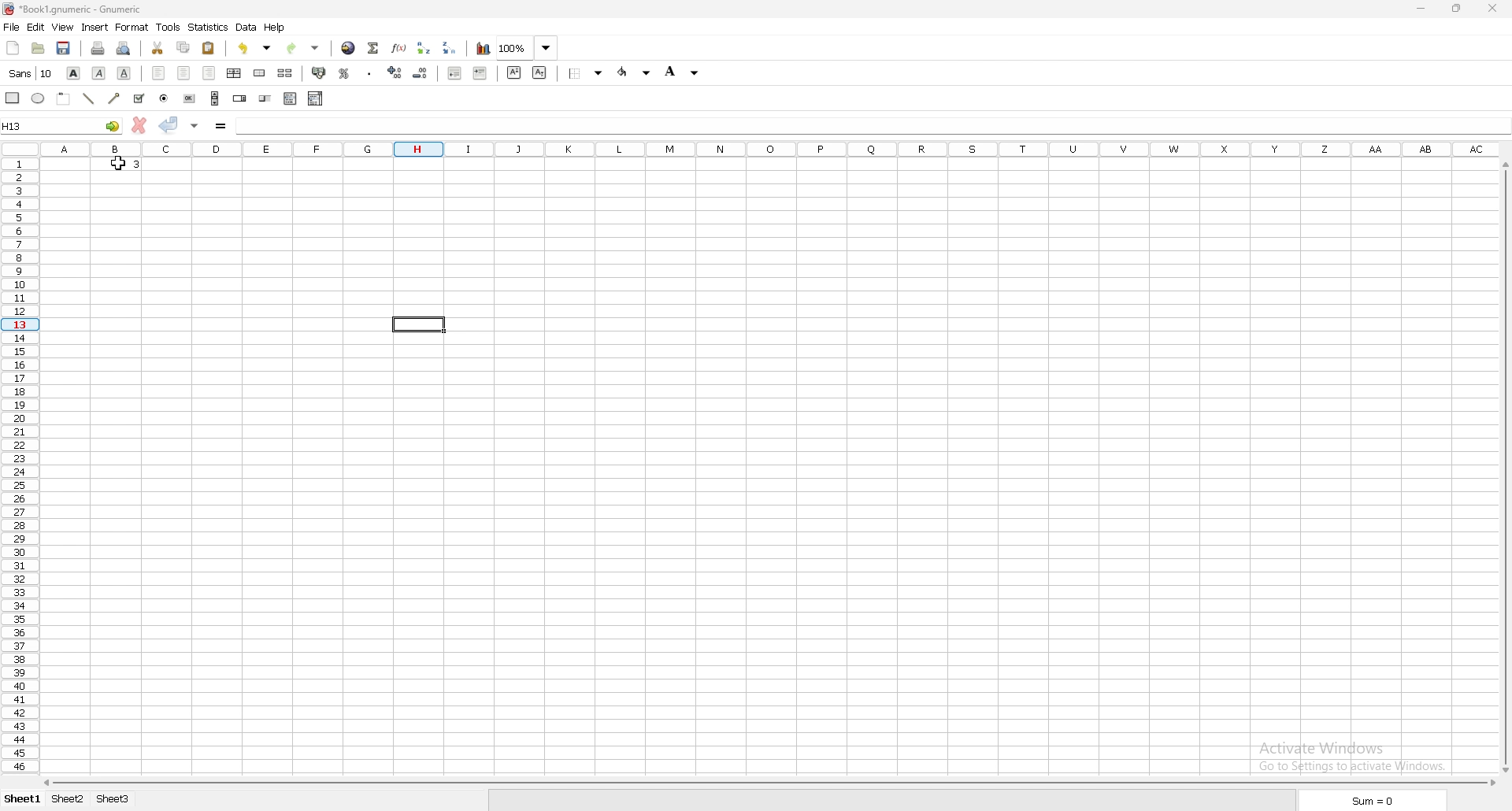  What do you see at coordinates (75, 72) in the screenshot?
I see `bold` at bounding box center [75, 72].